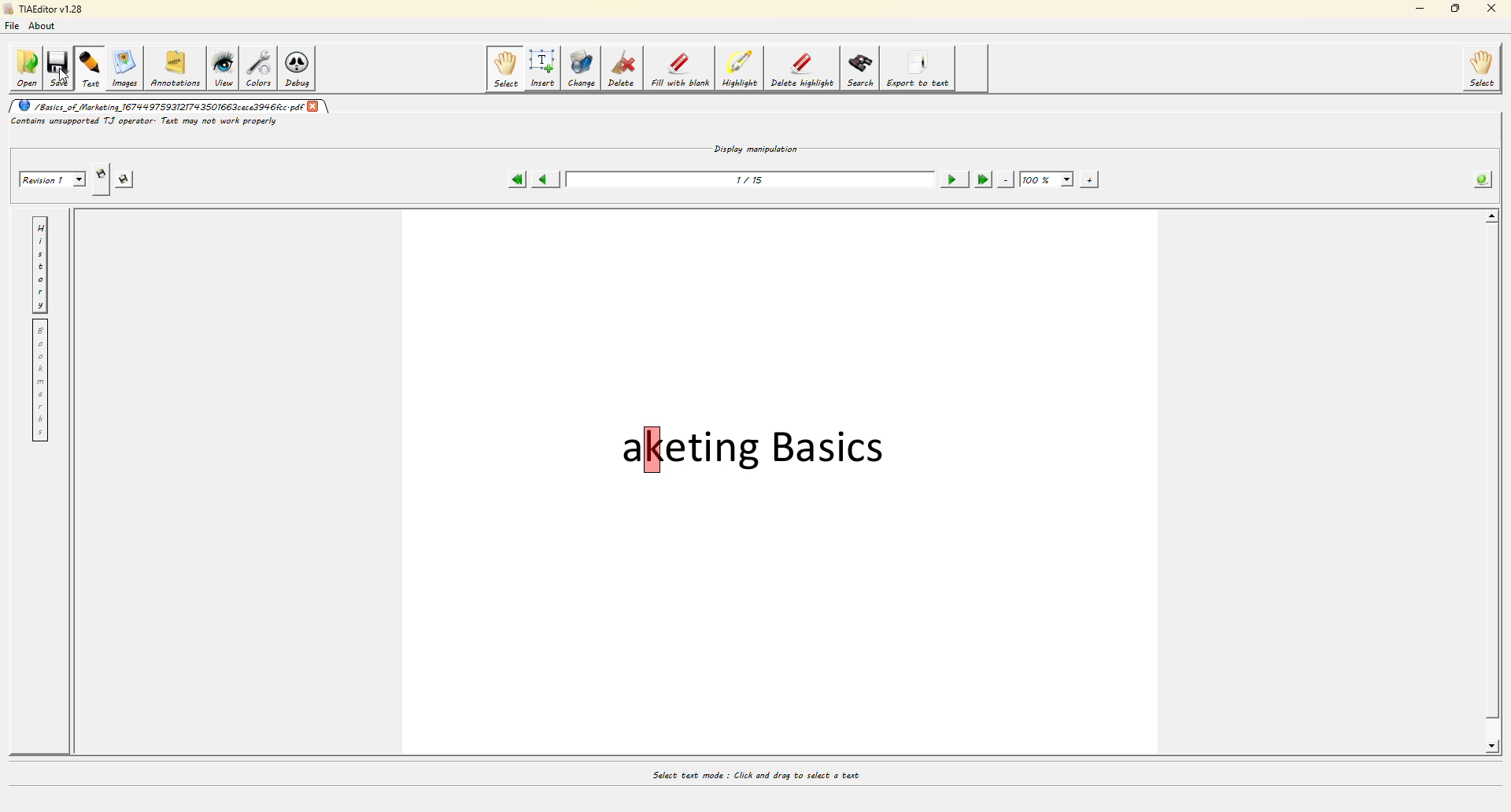 The width and height of the screenshot is (1511, 812). Describe the element at coordinates (517, 177) in the screenshot. I see `first page` at that location.